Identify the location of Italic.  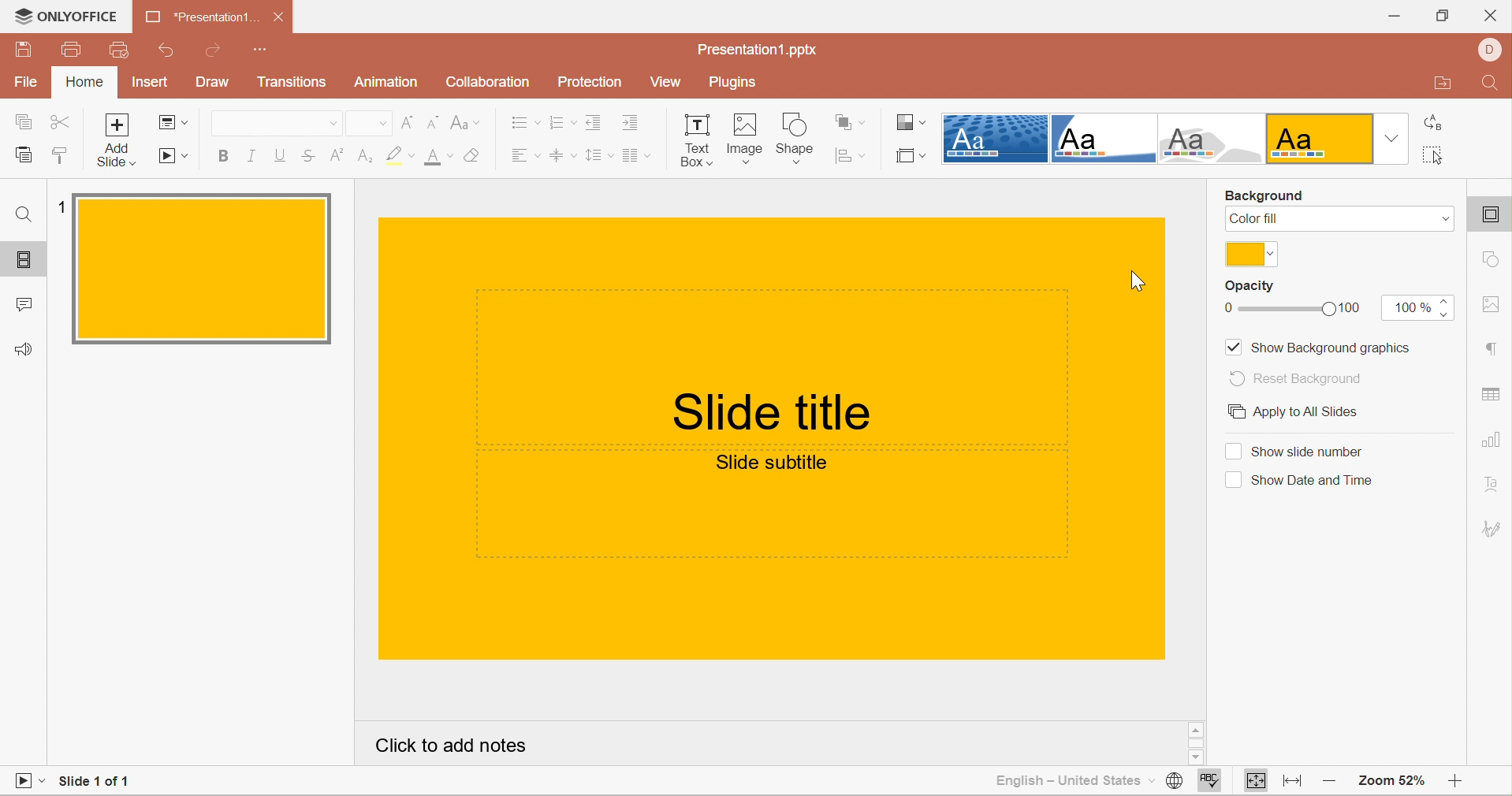
(253, 154).